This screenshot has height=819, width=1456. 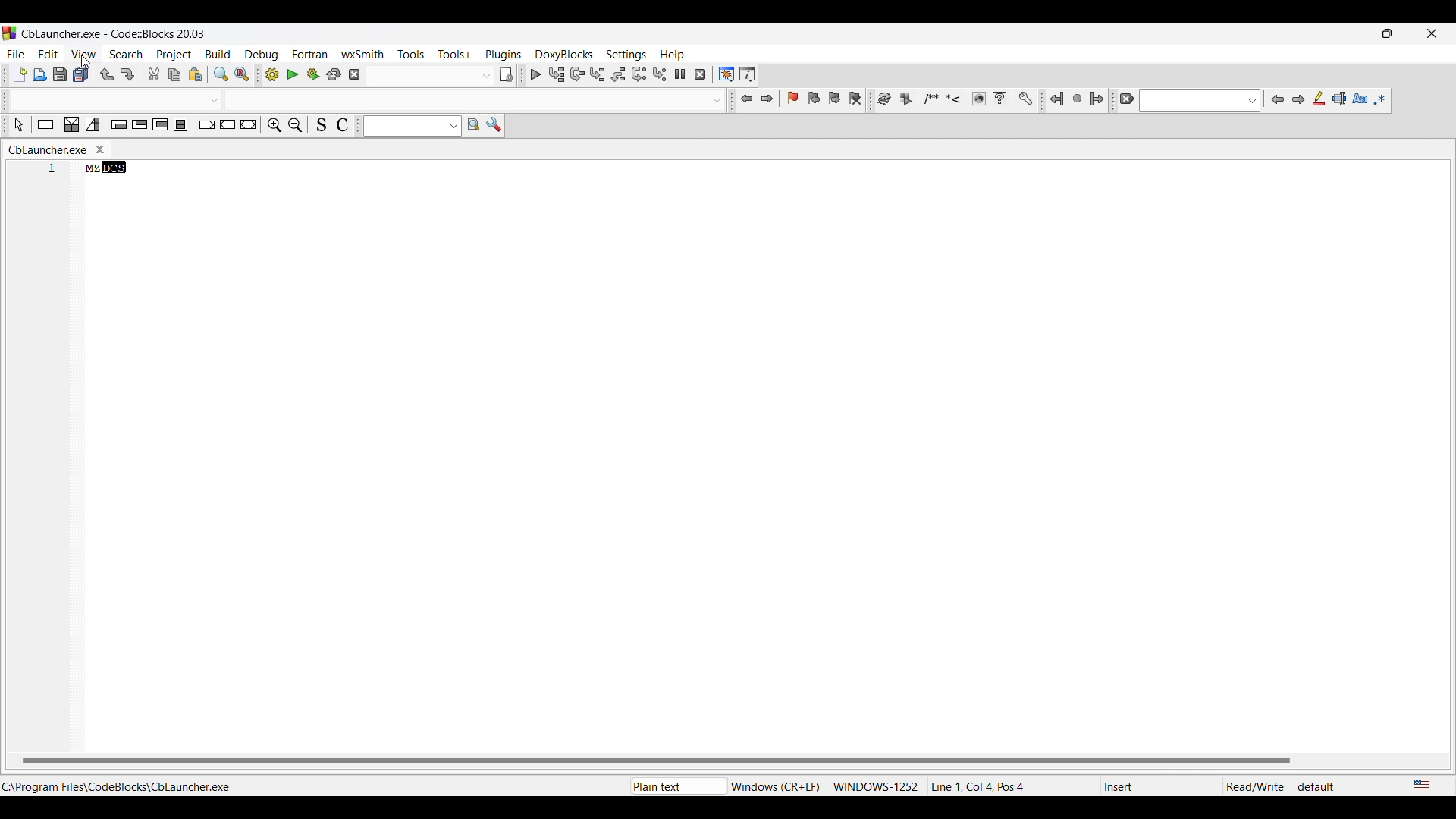 I want to click on Jump back, so click(x=1057, y=99).